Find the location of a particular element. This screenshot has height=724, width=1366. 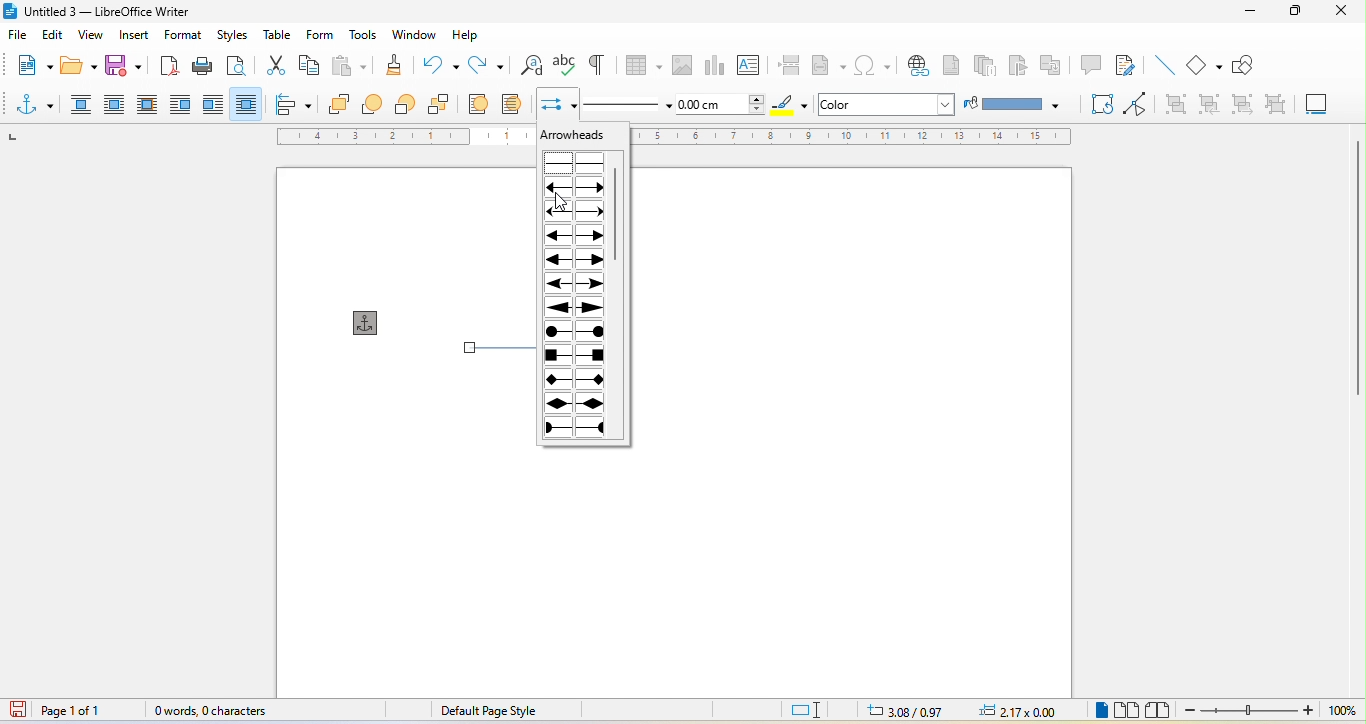

clone formatting is located at coordinates (391, 63).